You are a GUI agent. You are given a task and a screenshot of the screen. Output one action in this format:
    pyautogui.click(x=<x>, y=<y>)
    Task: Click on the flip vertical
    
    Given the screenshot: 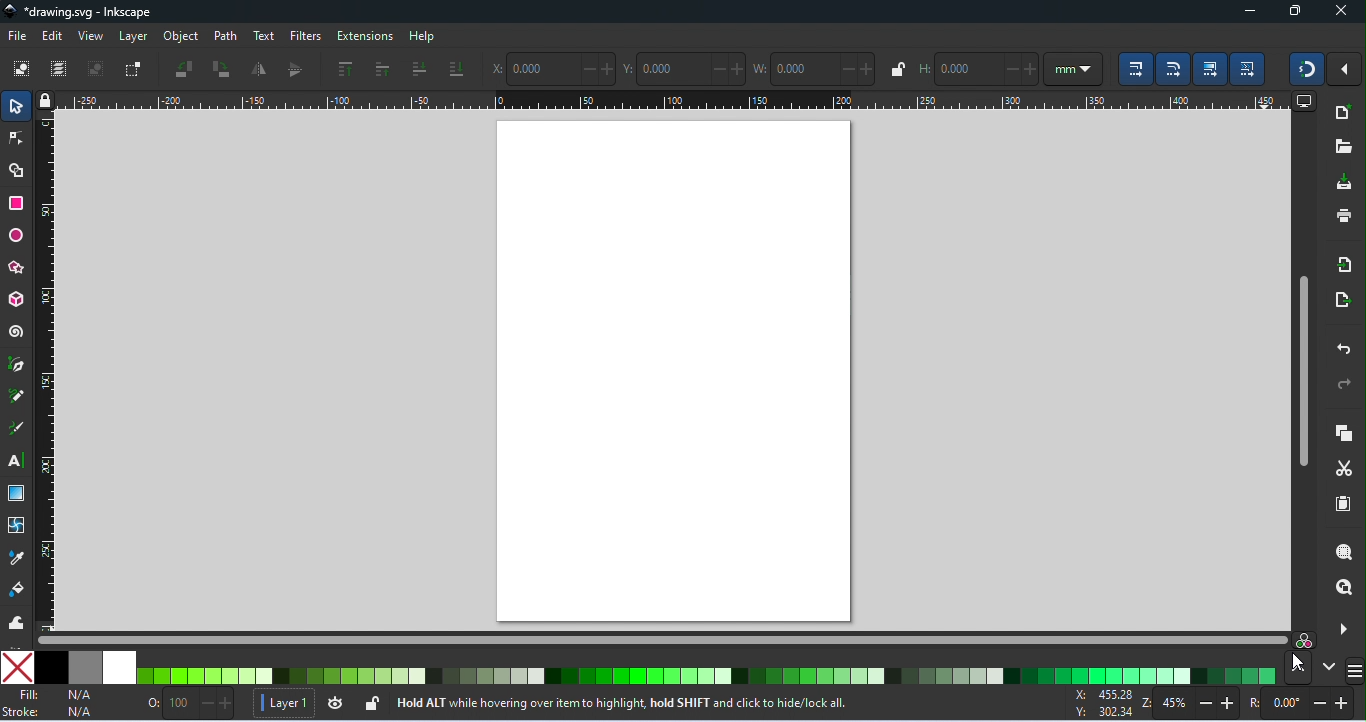 What is the action you would take?
    pyautogui.click(x=295, y=69)
    